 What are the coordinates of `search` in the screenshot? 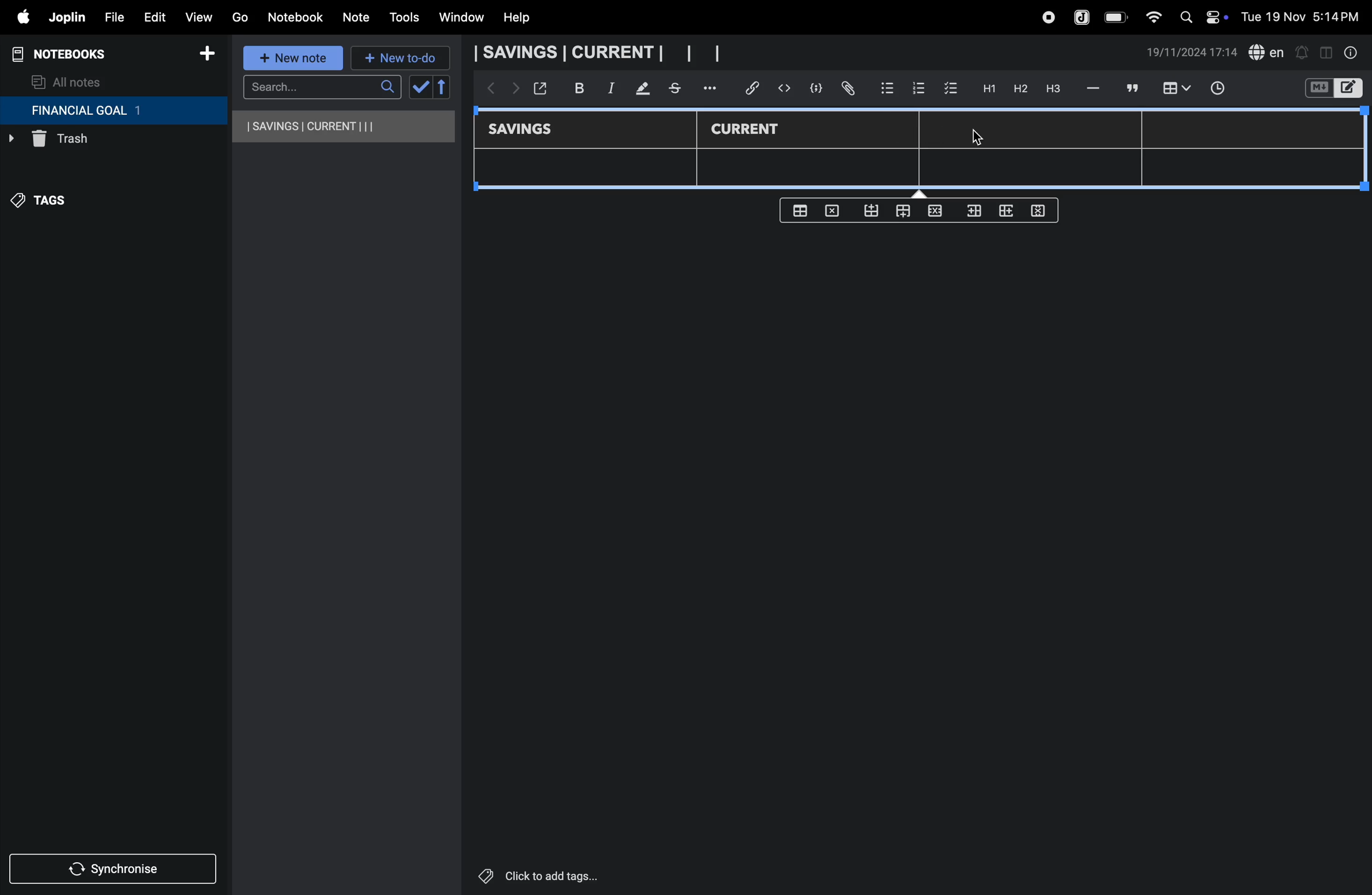 It's located at (322, 87).